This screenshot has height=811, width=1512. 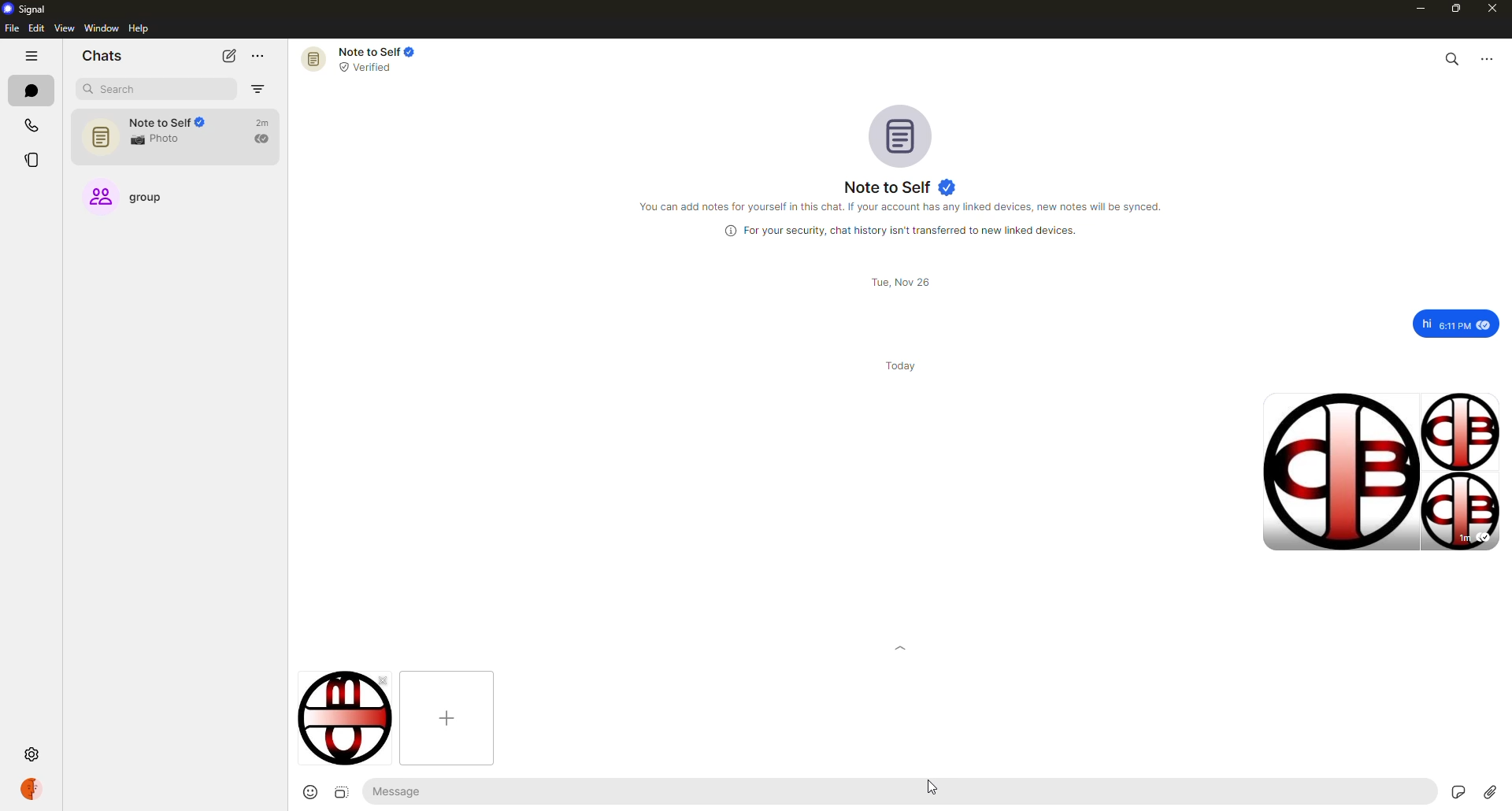 I want to click on maximize, so click(x=1452, y=8).